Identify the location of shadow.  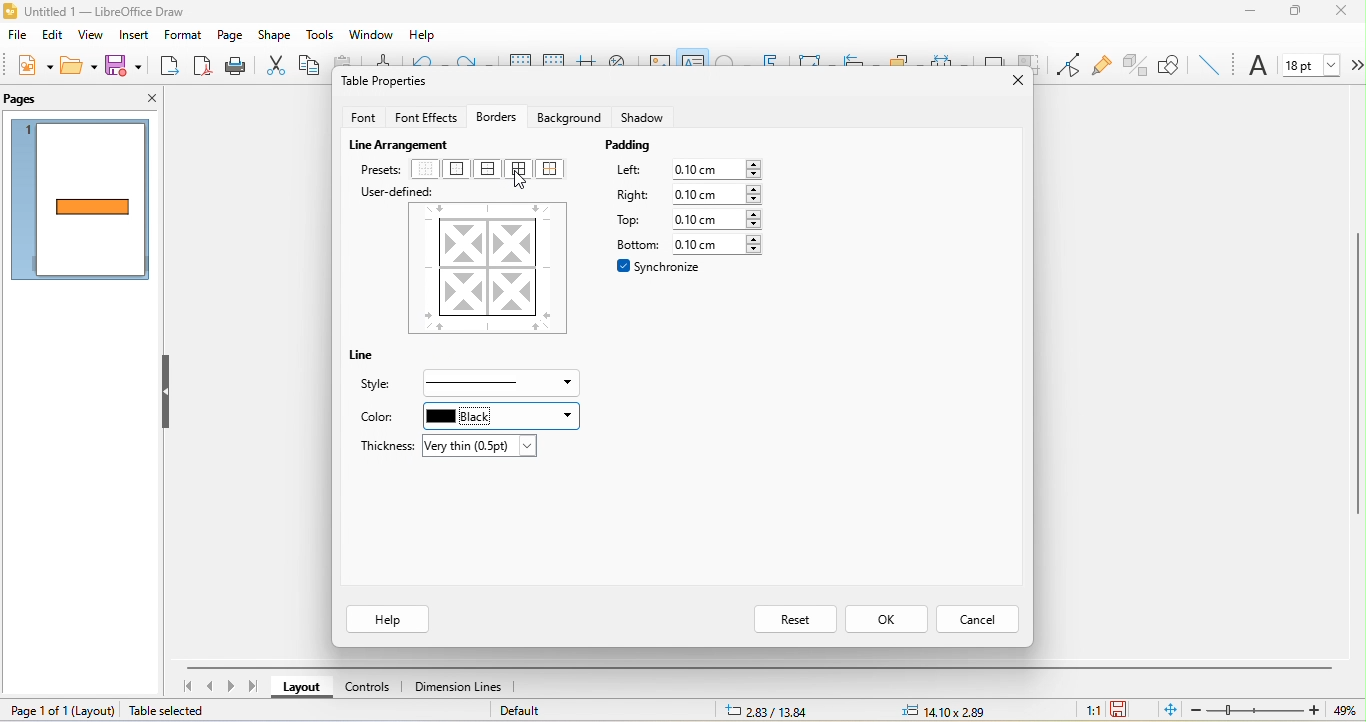
(643, 114).